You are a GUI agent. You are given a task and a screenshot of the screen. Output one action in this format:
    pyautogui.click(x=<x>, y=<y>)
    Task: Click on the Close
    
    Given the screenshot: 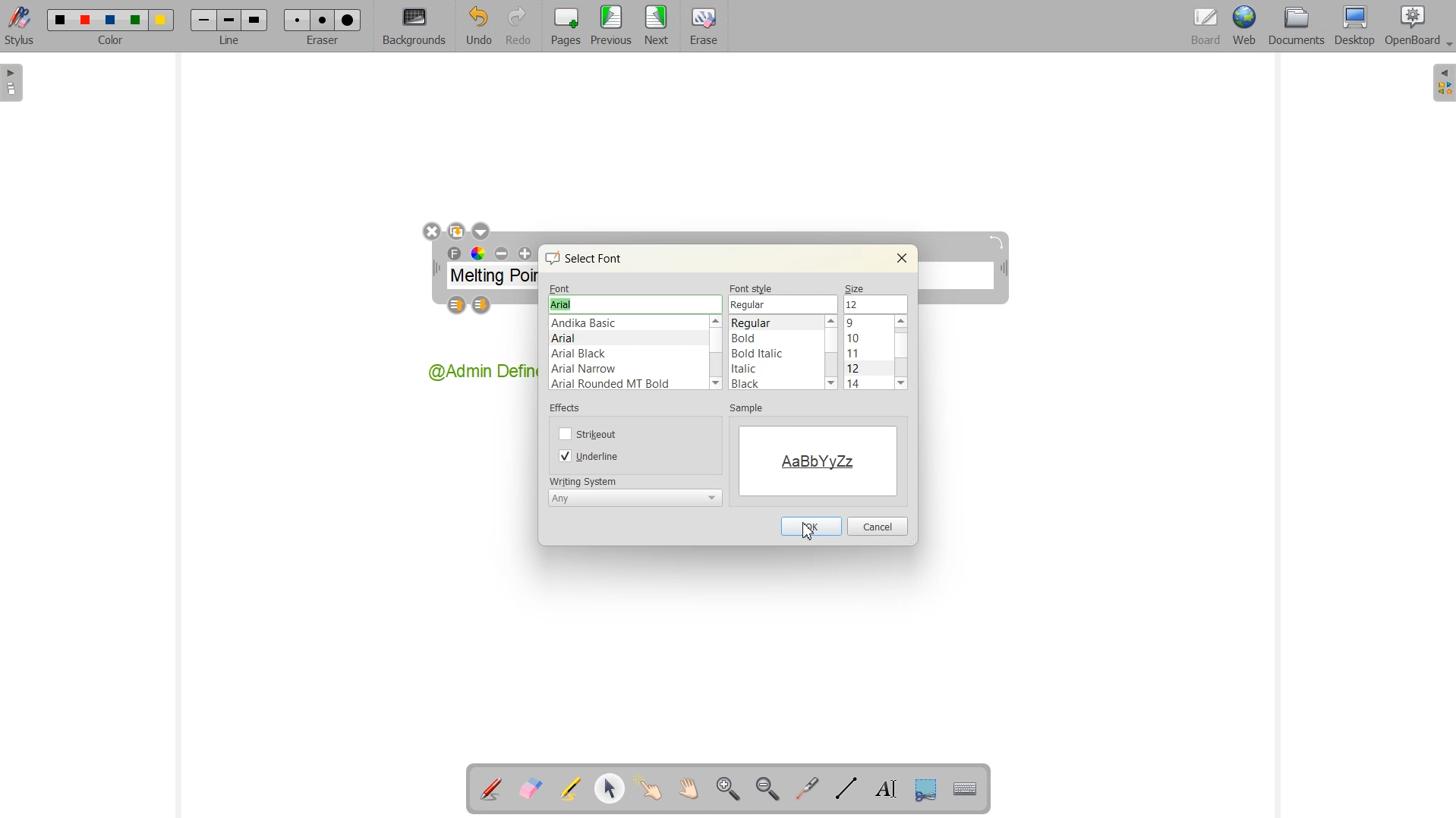 What is the action you would take?
    pyautogui.click(x=901, y=258)
    